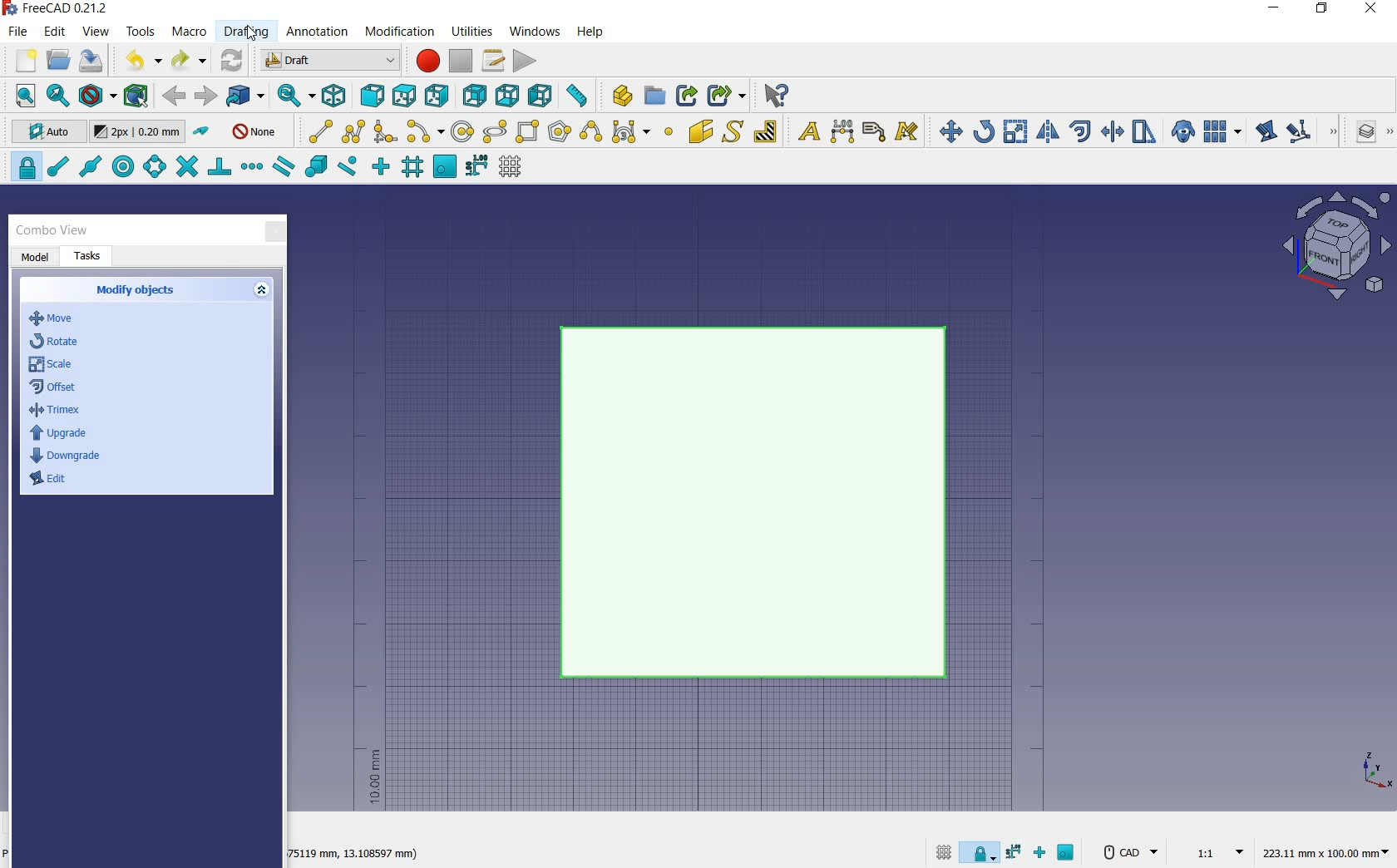  What do you see at coordinates (984, 131) in the screenshot?
I see `rotate` at bounding box center [984, 131].